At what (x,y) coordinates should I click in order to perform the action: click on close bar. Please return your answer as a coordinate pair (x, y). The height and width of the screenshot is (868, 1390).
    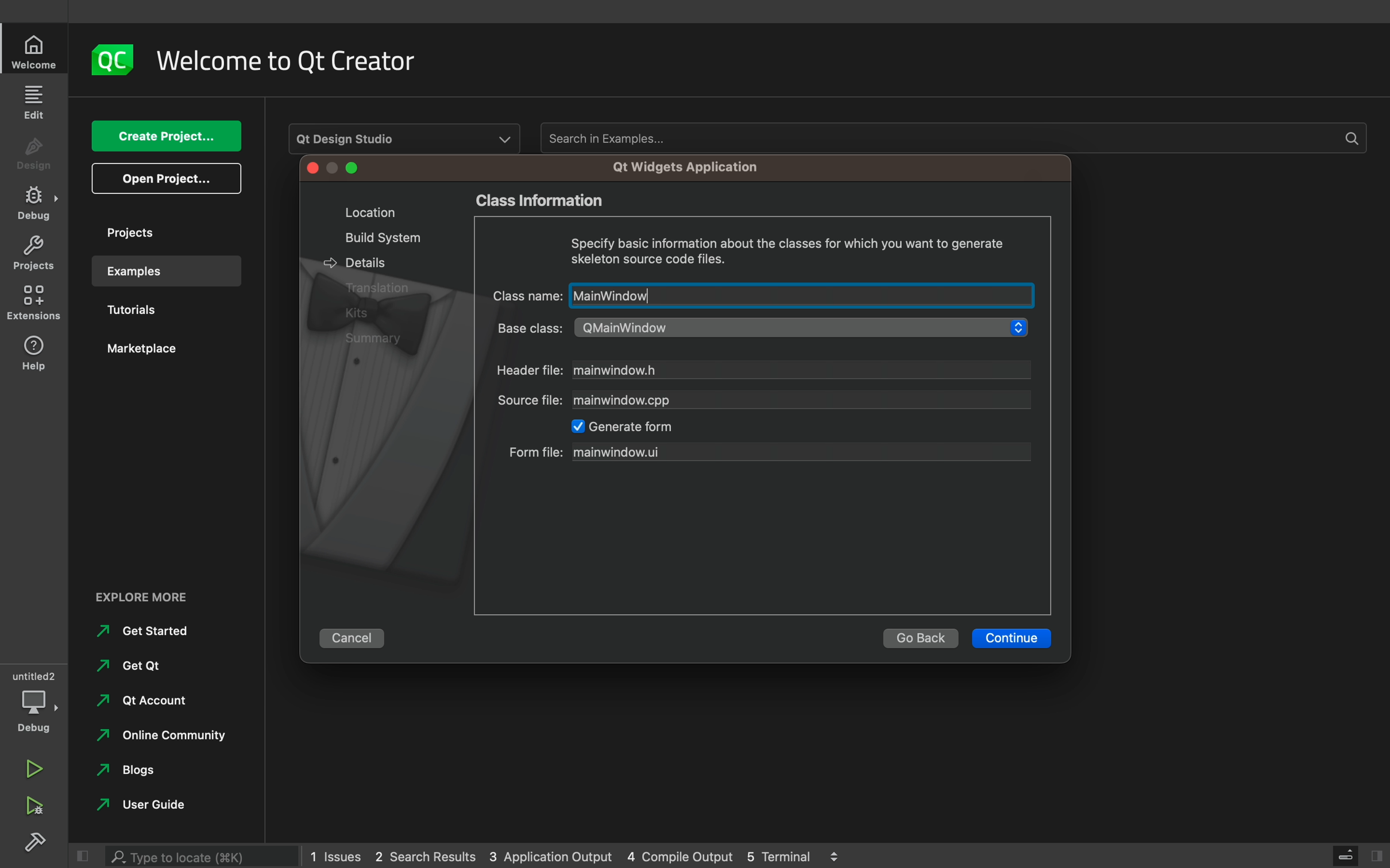
    Looking at the image, I should click on (1348, 855).